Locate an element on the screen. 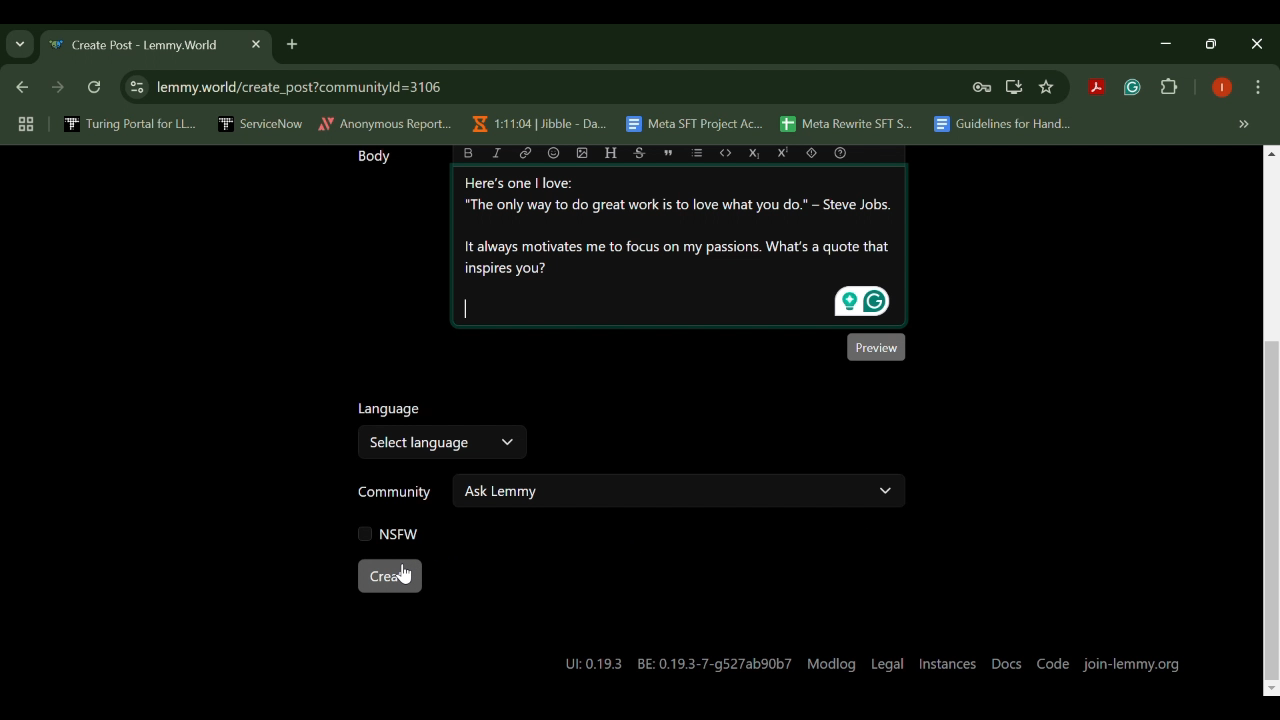  Refresh Webpage is located at coordinates (96, 89).